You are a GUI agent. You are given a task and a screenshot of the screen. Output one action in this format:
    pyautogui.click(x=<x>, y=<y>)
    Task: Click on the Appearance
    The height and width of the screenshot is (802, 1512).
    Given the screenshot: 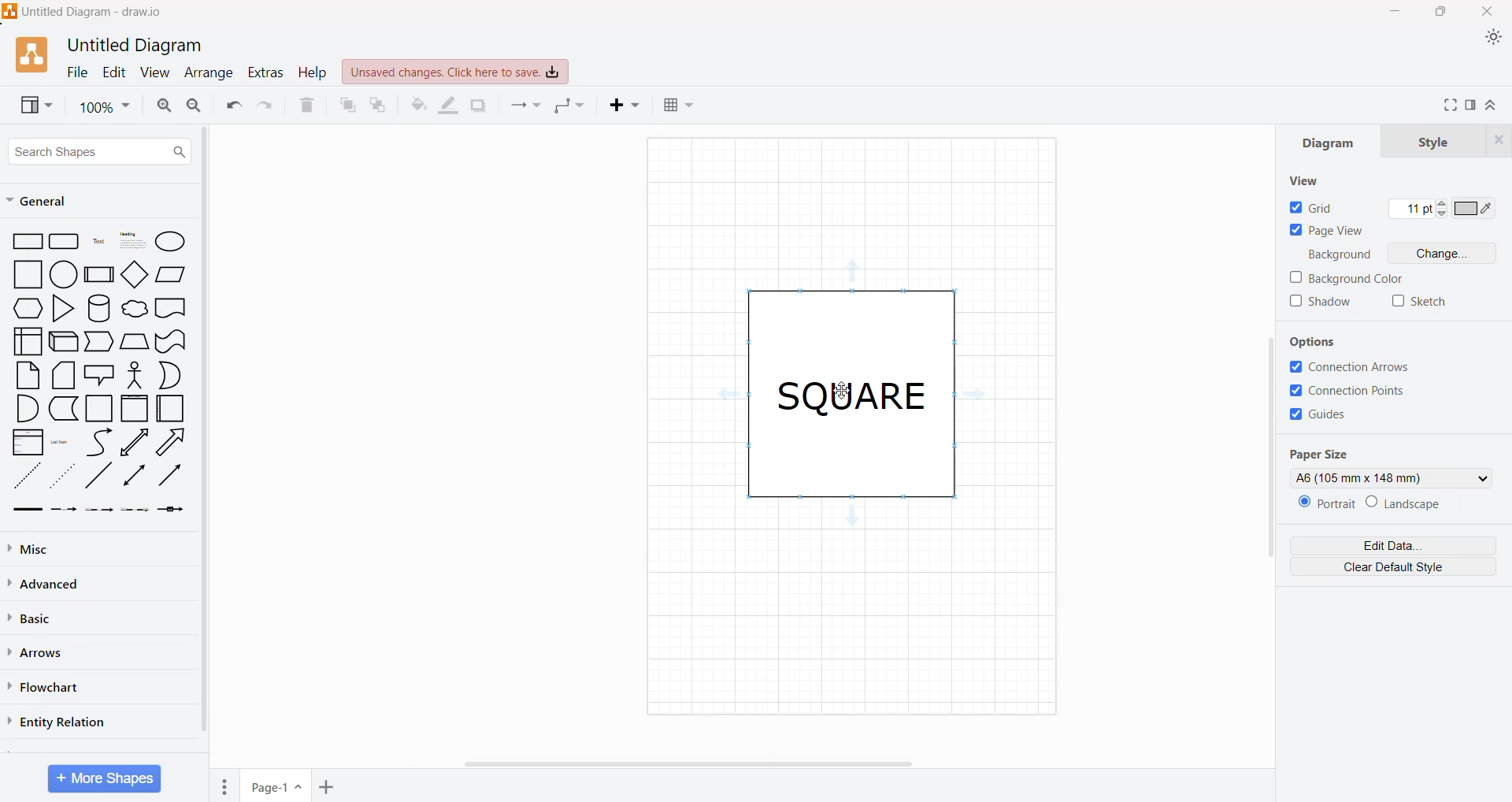 What is the action you would take?
    pyautogui.click(x=1493, y=38)
    